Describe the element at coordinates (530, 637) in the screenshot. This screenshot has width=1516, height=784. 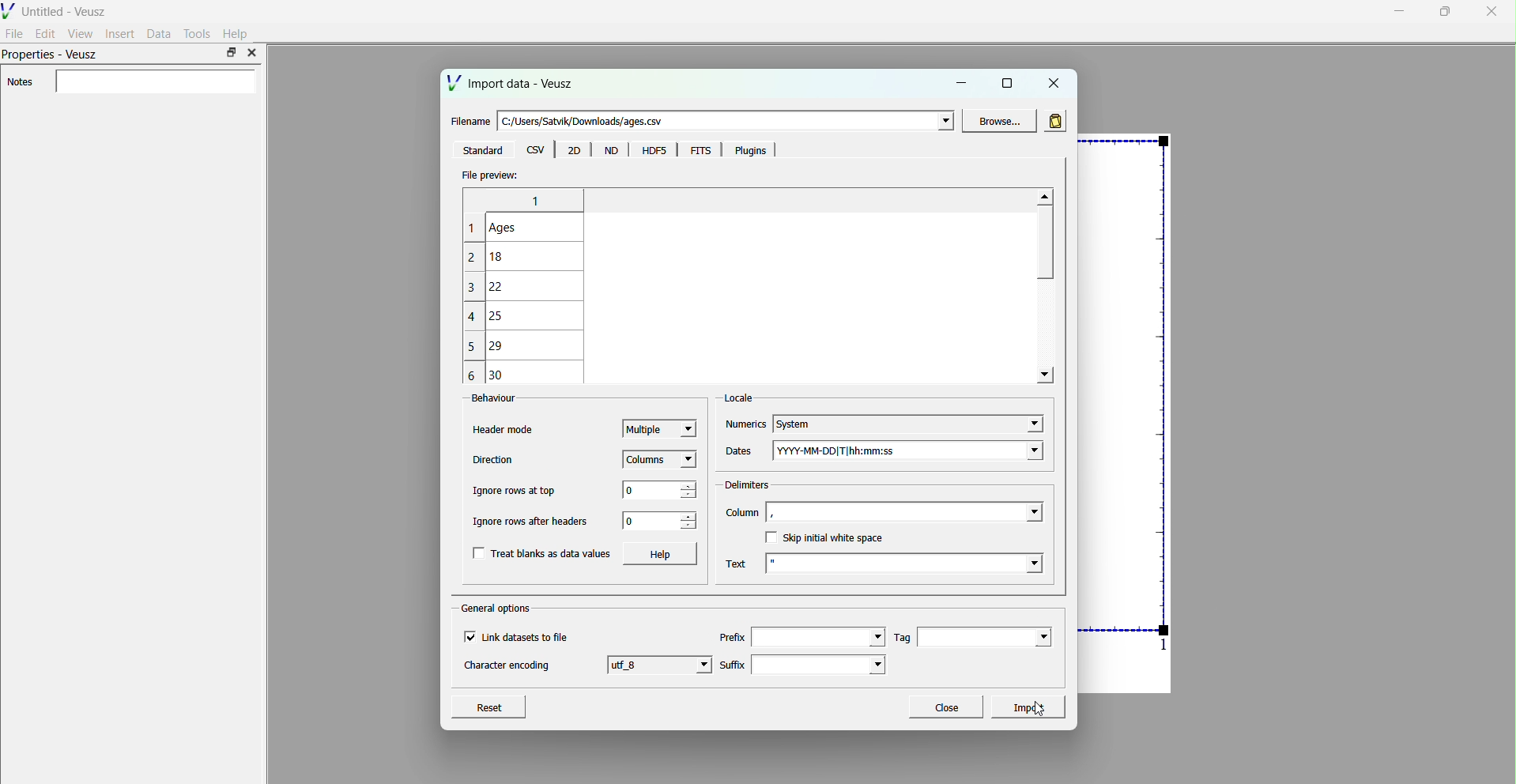
I see `Link datasets to file` at that location.